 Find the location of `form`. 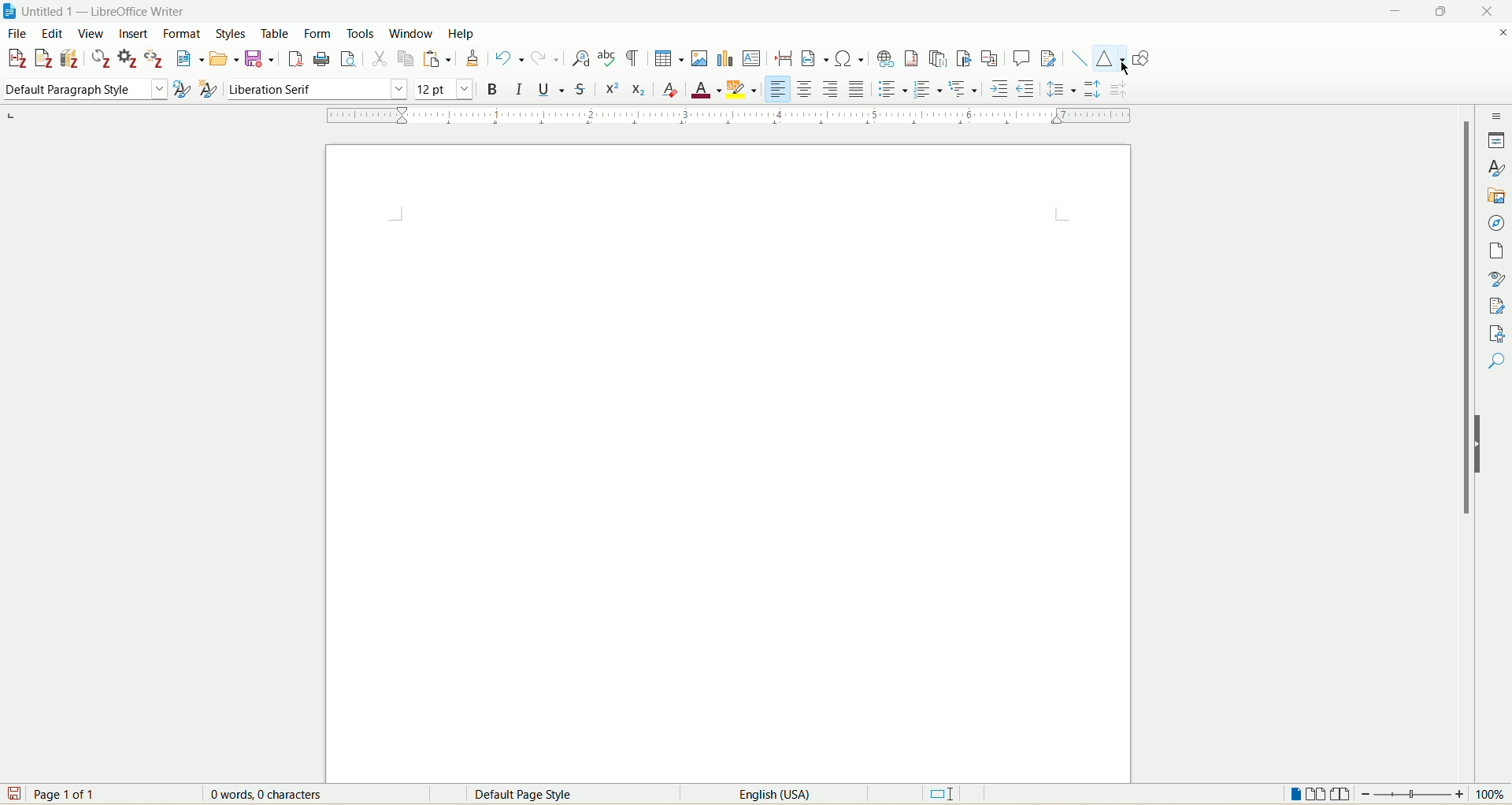

form is located at coordinates (321, 35).